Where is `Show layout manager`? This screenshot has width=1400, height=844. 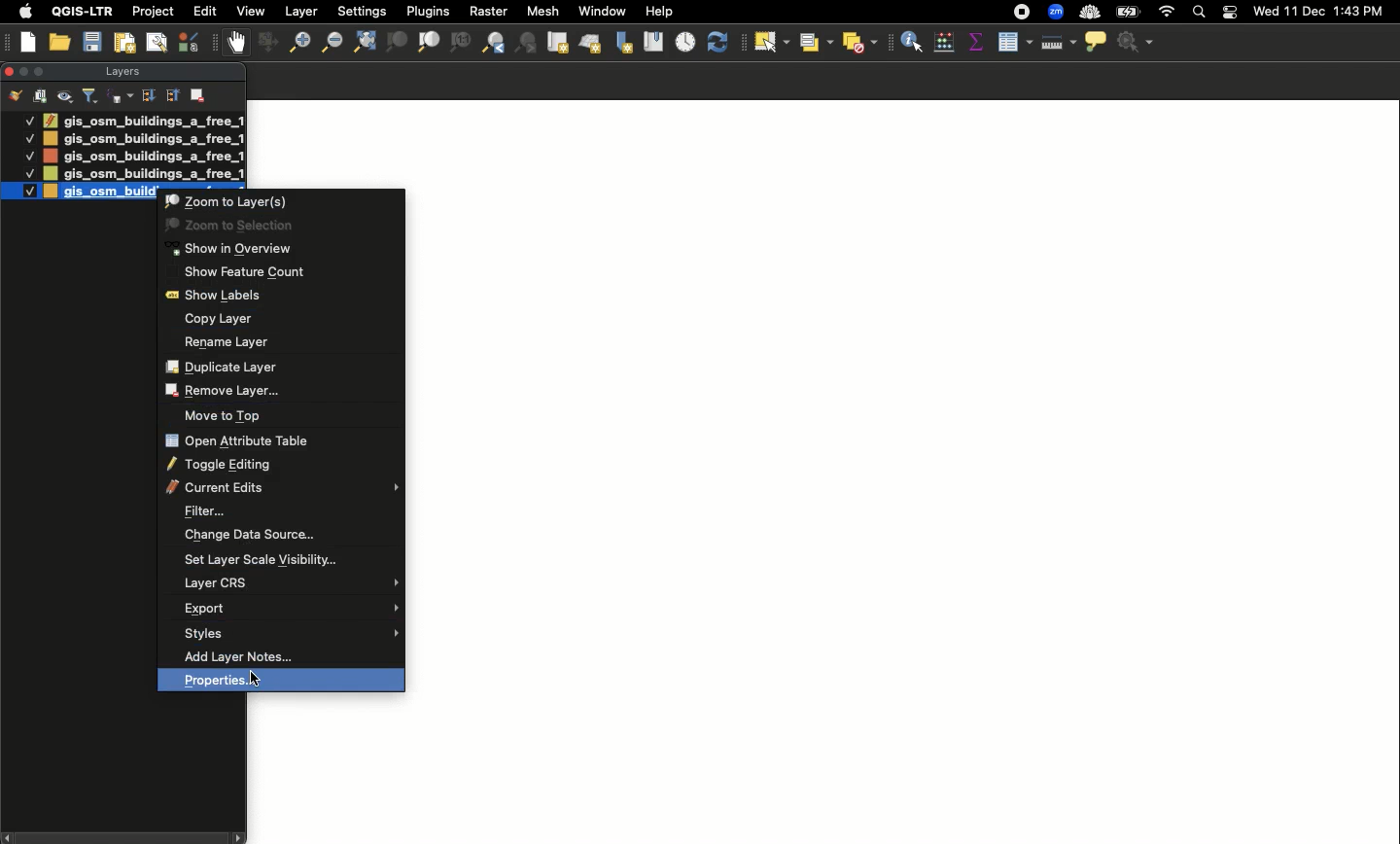 Show layout manager is located at coordinates (156, 43).